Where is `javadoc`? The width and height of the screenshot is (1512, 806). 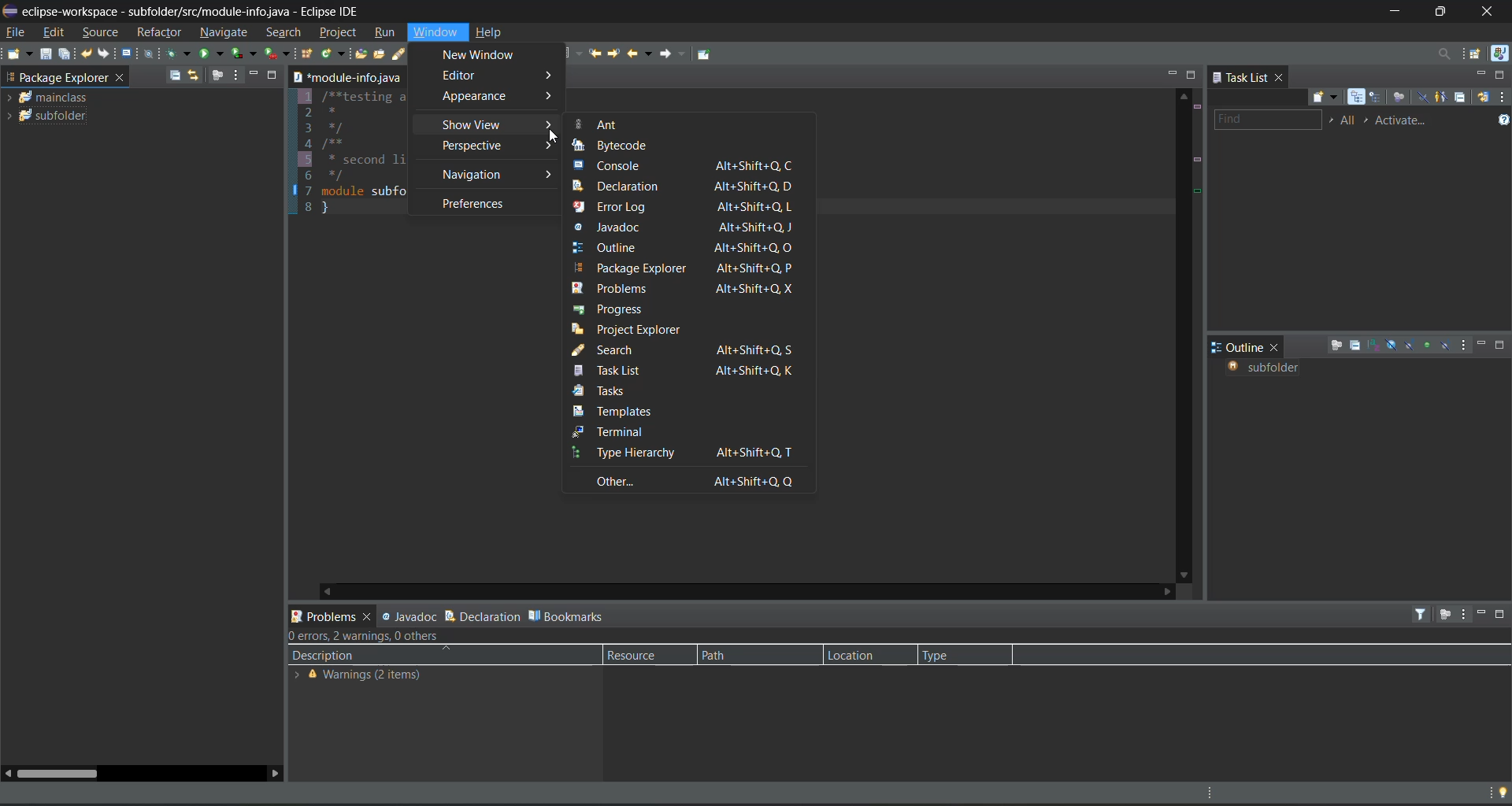 javadoc is located at coordinates (405, 616).